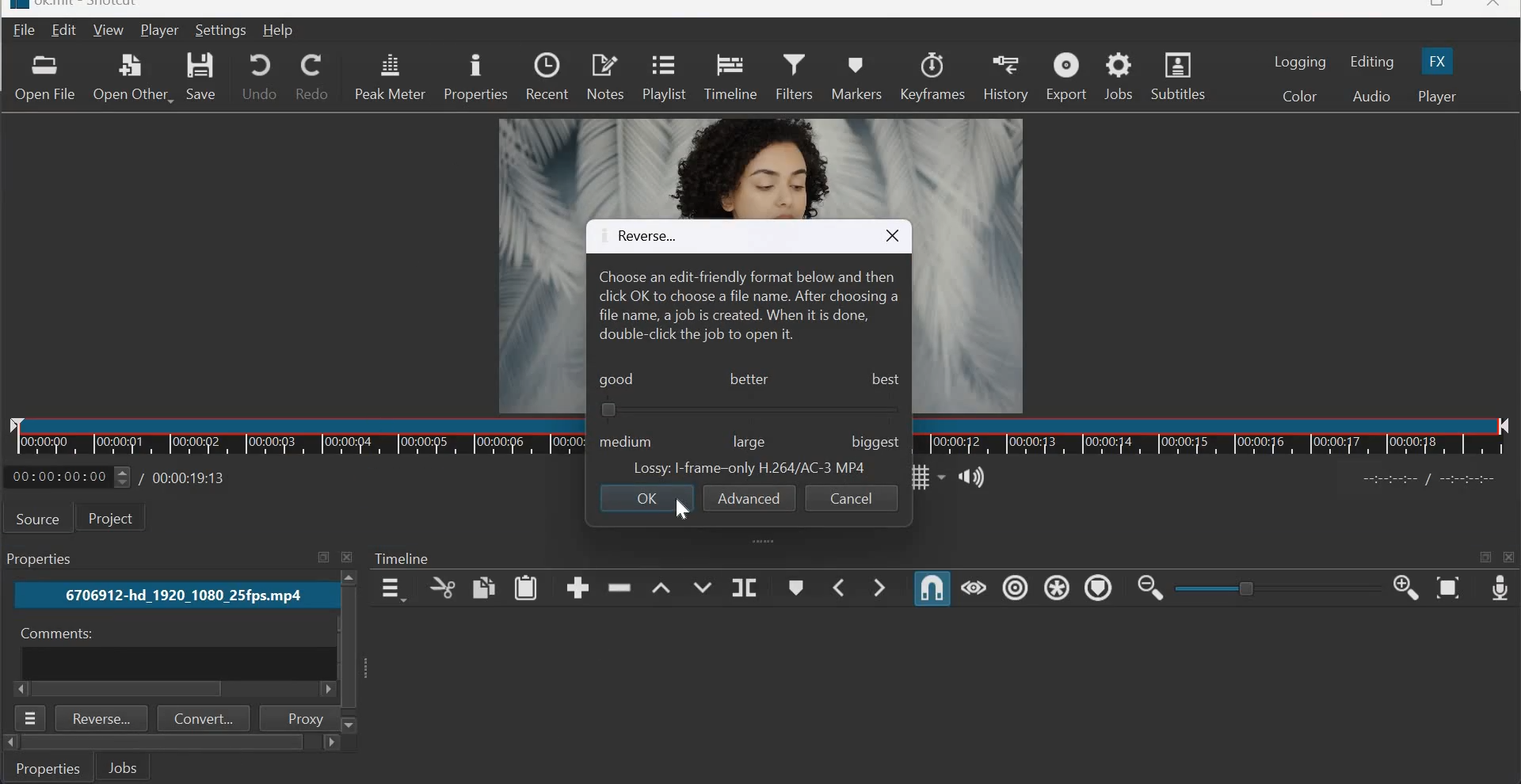 This screenshot has width=1521, height=784. What do you see at coordinates (475, 78) in the screenshot?
I see `properties` at bounding box center [475, 78].